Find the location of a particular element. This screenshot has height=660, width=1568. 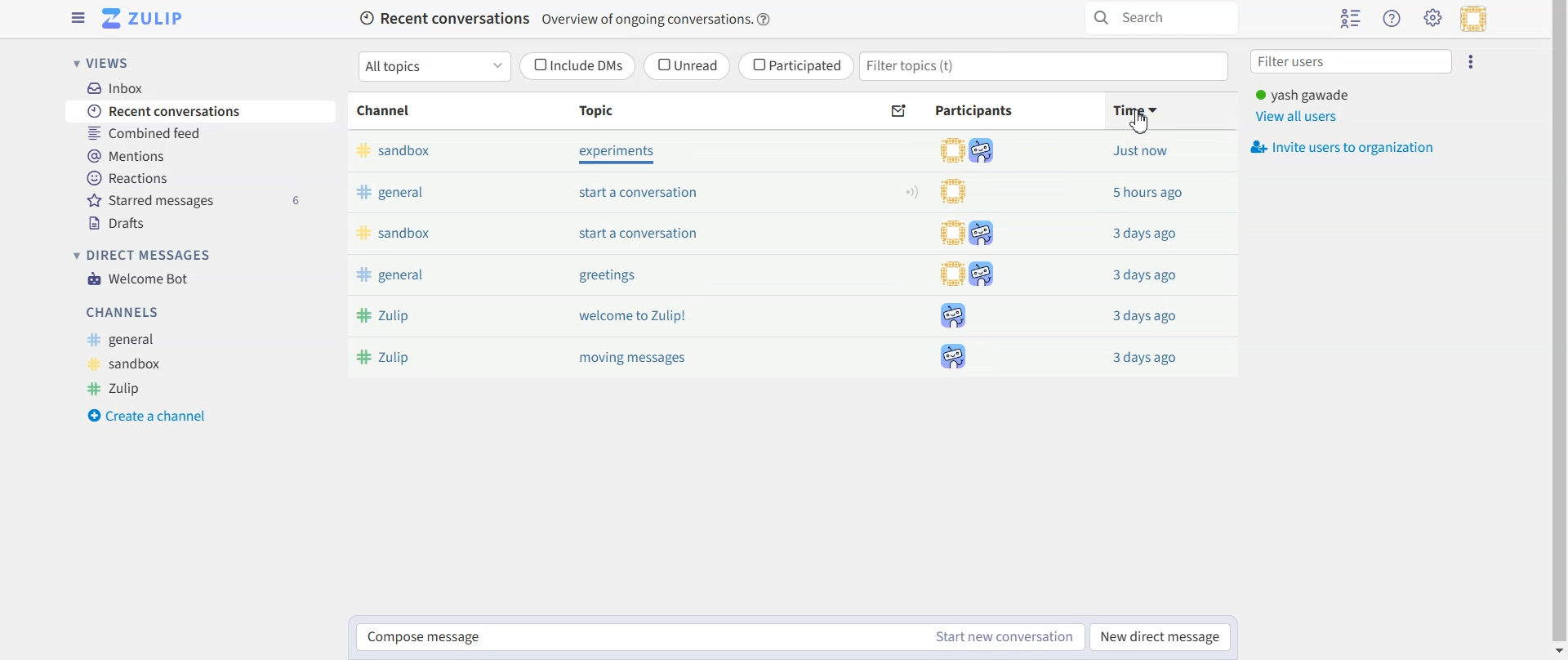

Recent Conversations is located at coordinates (201, 111).